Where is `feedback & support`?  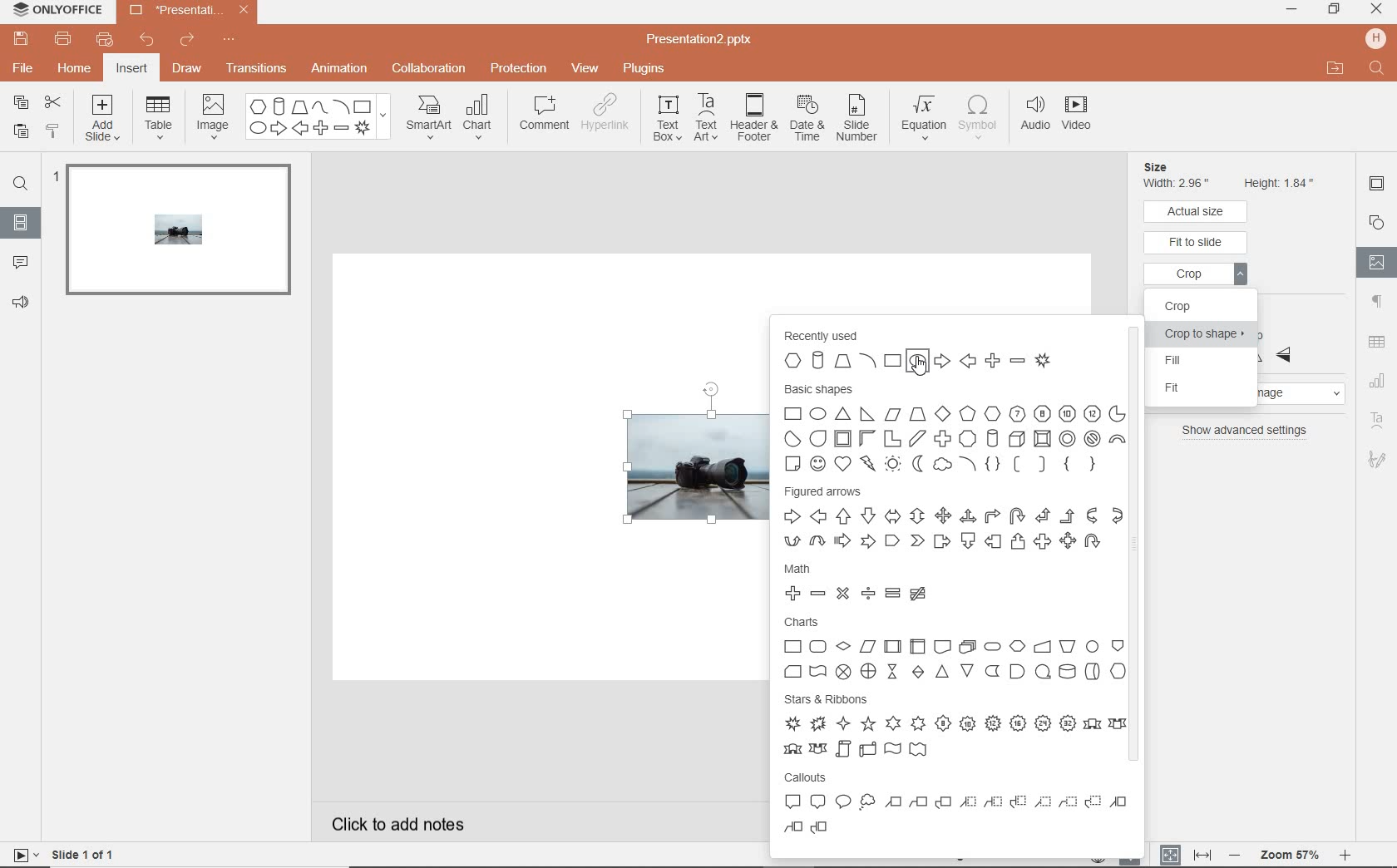 feedback & support is located at coordinates (21, 303).